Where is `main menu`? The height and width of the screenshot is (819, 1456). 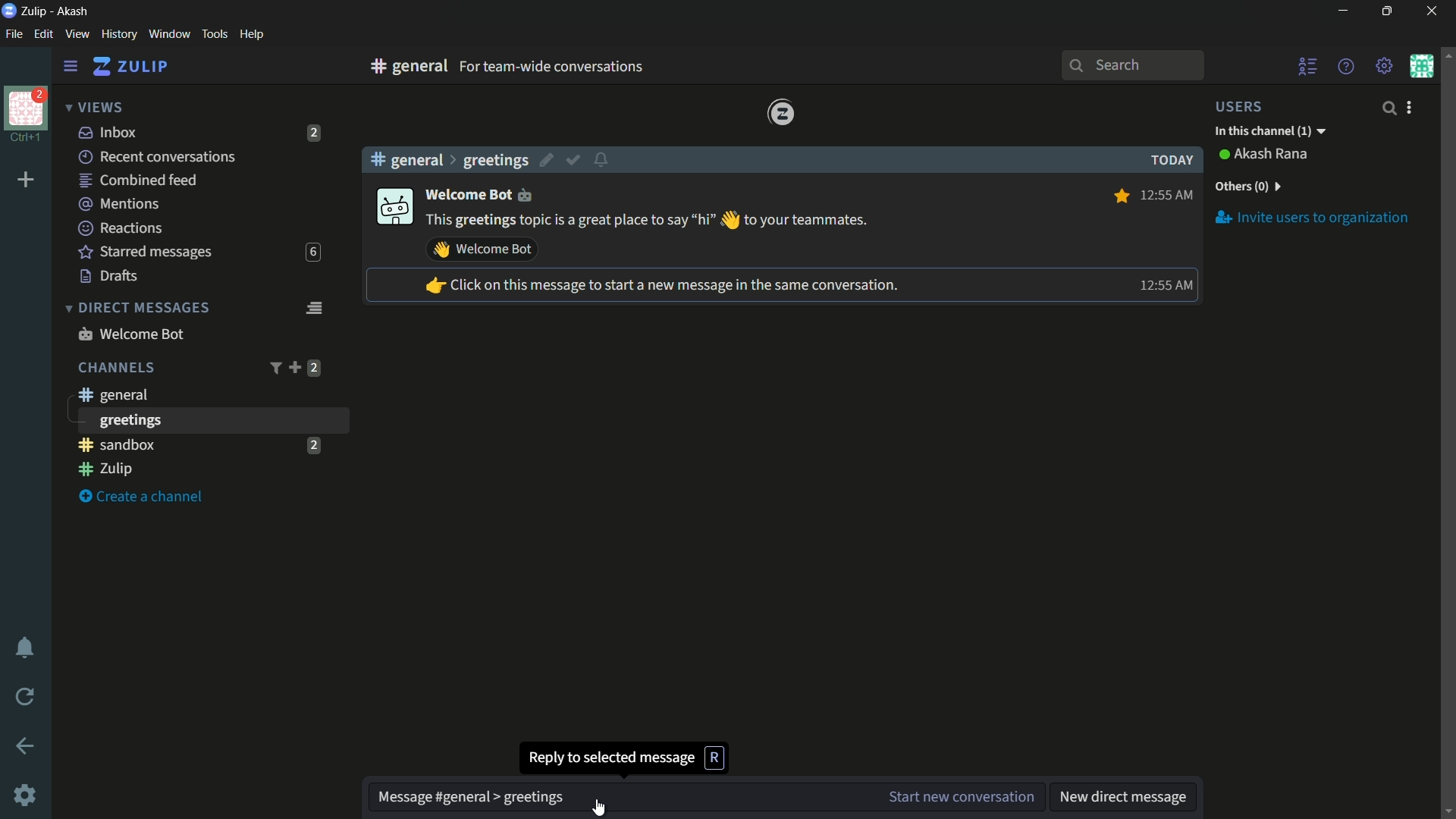
main menu is located at coordinates (1385, 66).